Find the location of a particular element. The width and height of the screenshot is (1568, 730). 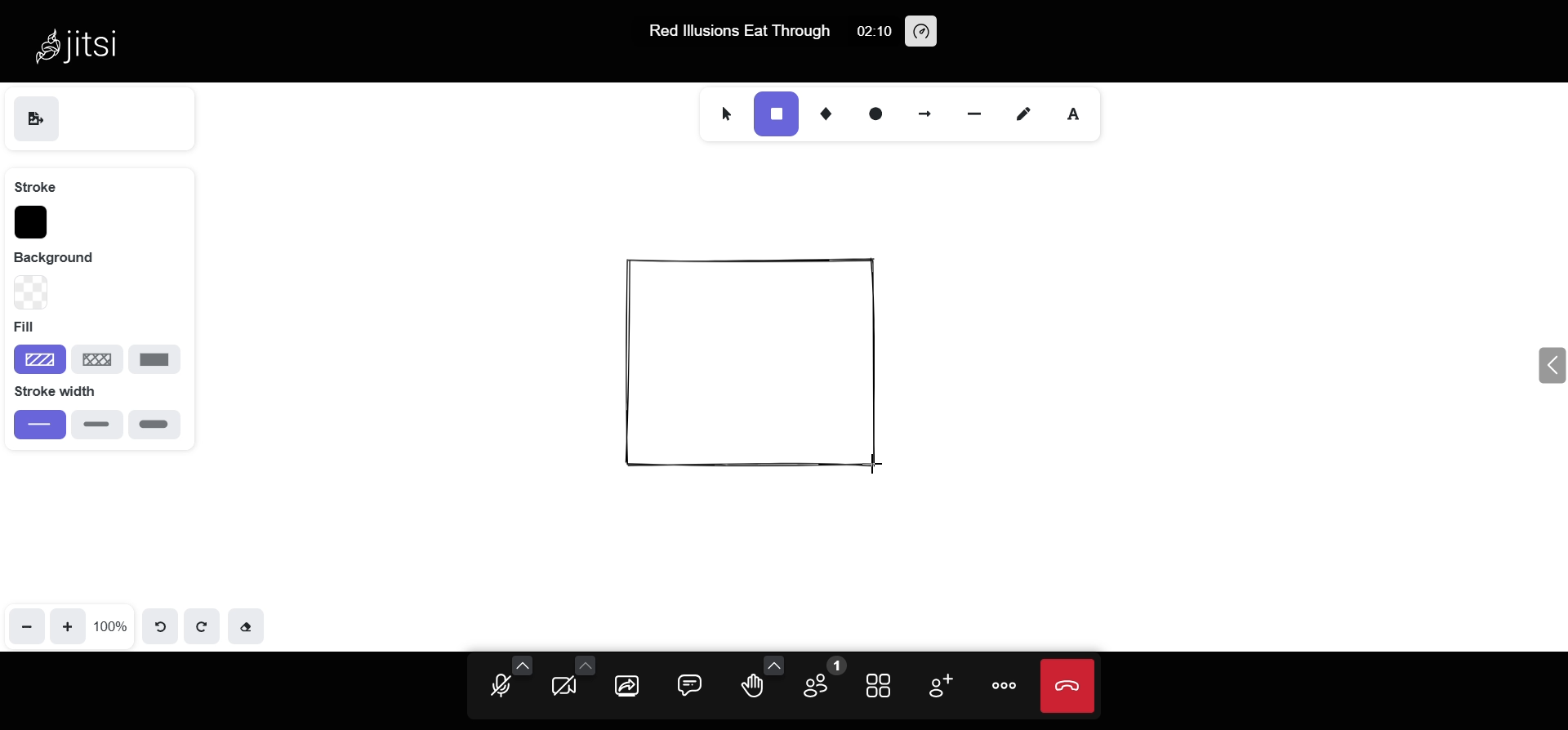

stroke width is located at coordinates (68, 391).